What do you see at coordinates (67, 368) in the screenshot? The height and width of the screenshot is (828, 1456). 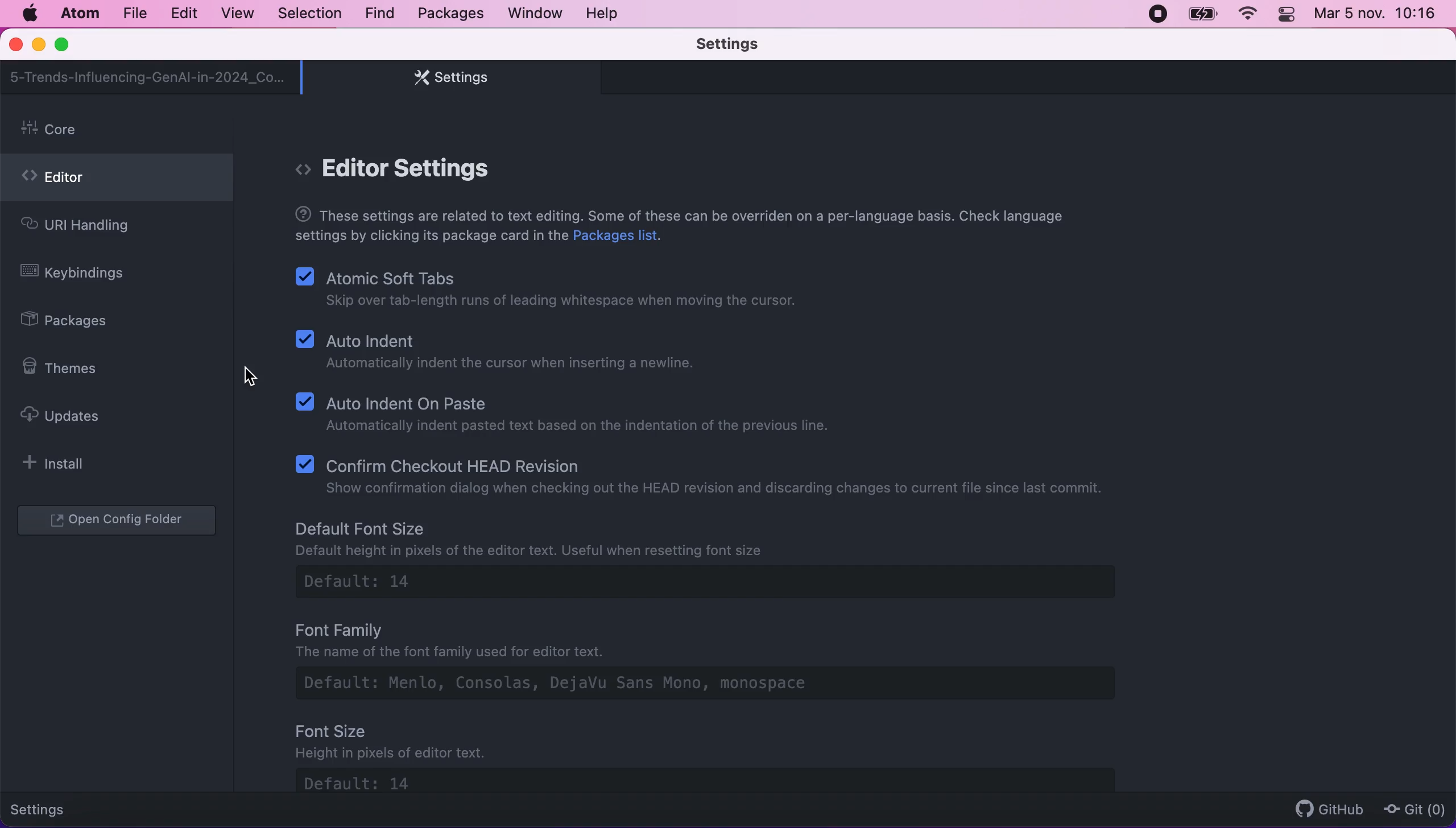 I see `themes` at bounding box center [67, 368].